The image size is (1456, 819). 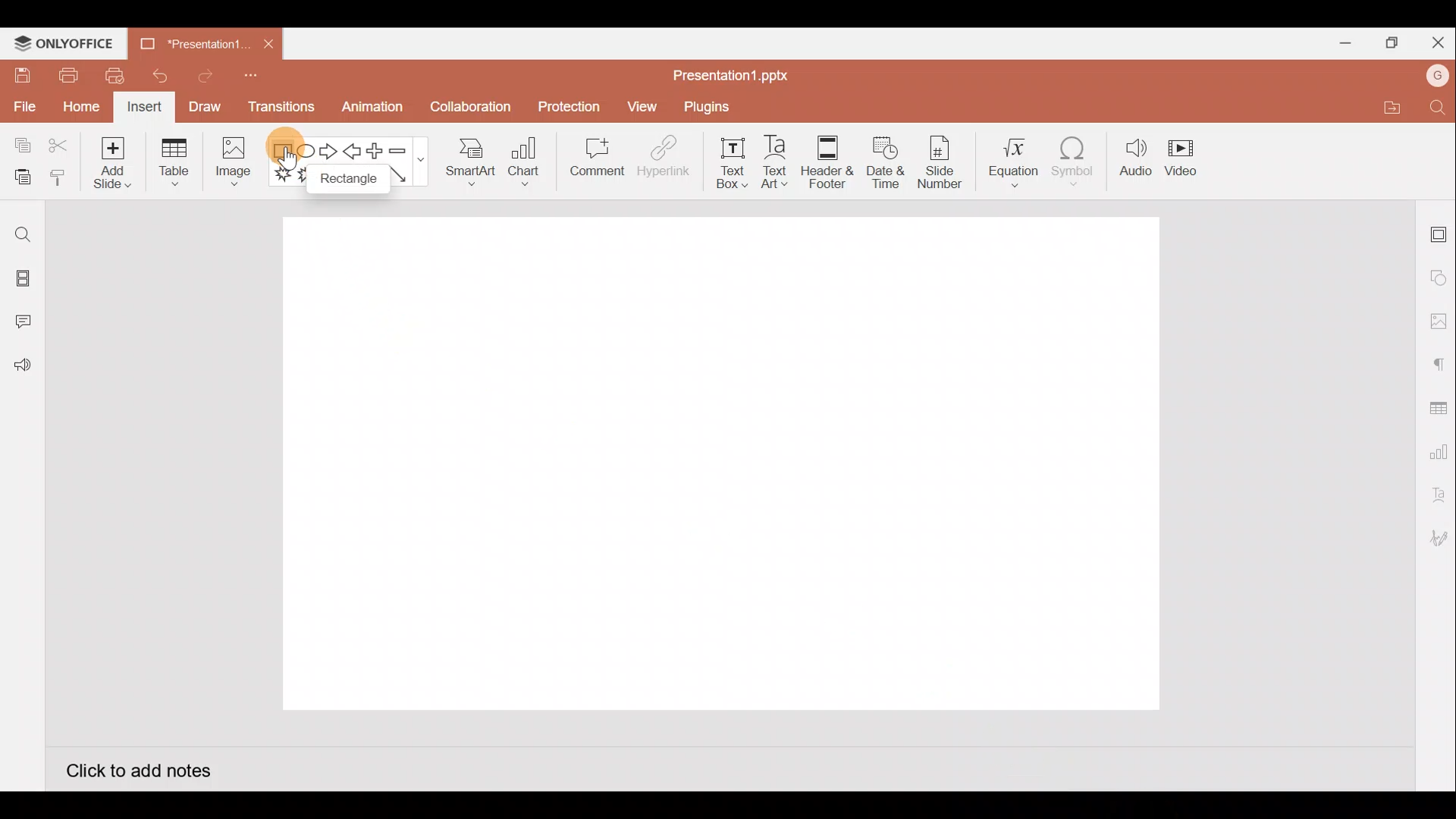 I want to click on Text box, so click(x=733, y=163).